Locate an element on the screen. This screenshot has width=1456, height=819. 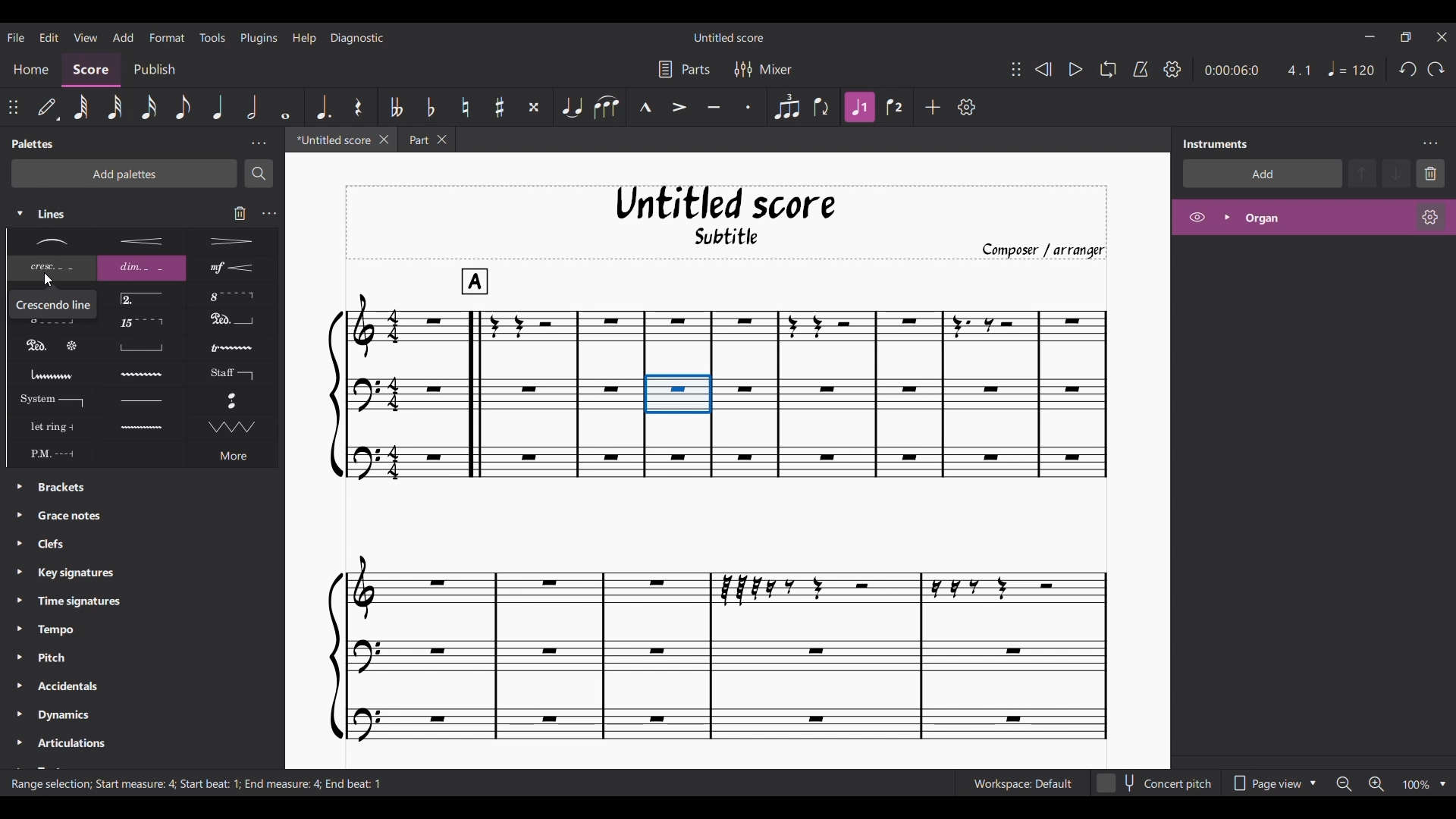
Instruments panel settings is located at coordinates (1430, 143).